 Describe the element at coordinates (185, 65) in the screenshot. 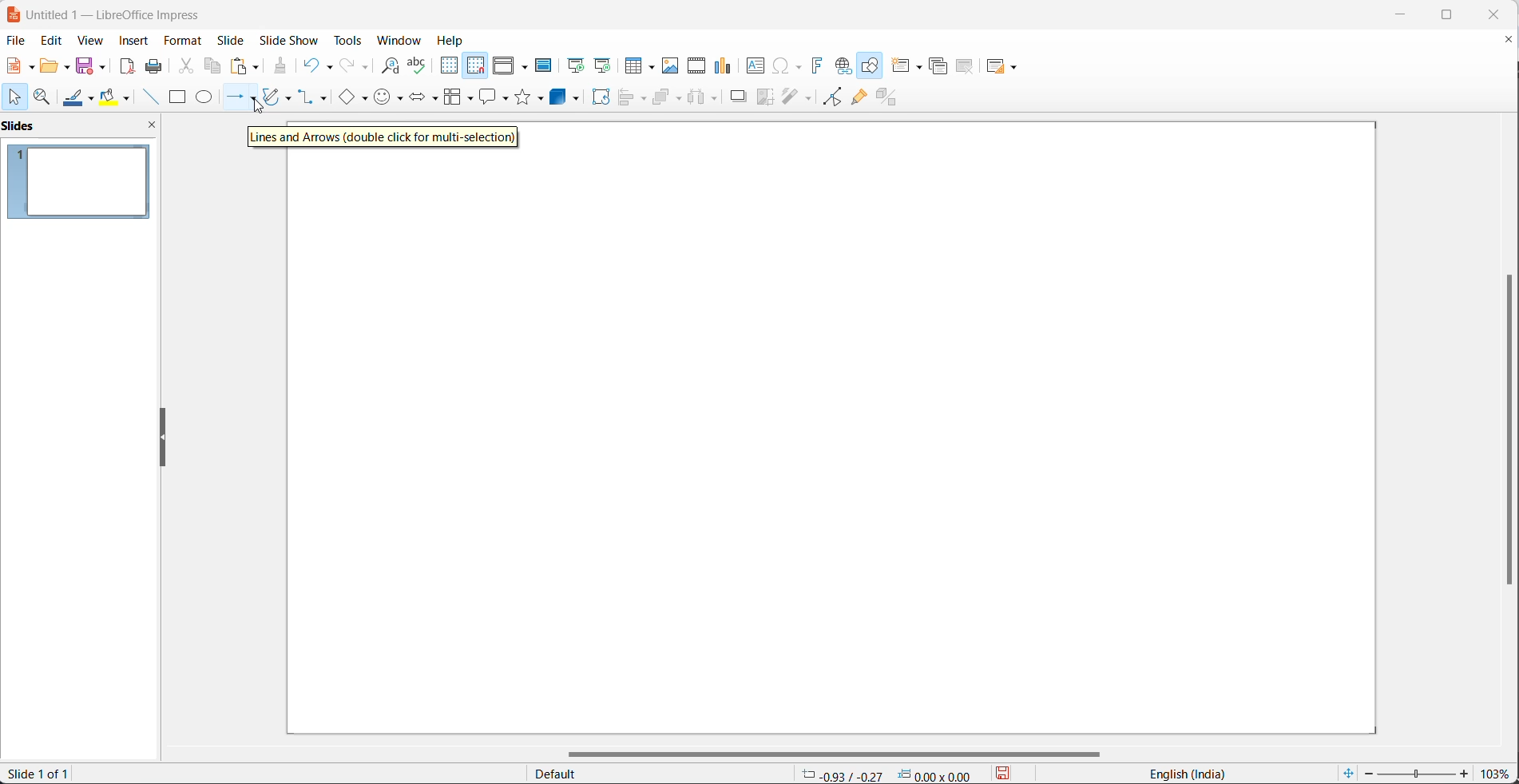

I see `cut` at that location.